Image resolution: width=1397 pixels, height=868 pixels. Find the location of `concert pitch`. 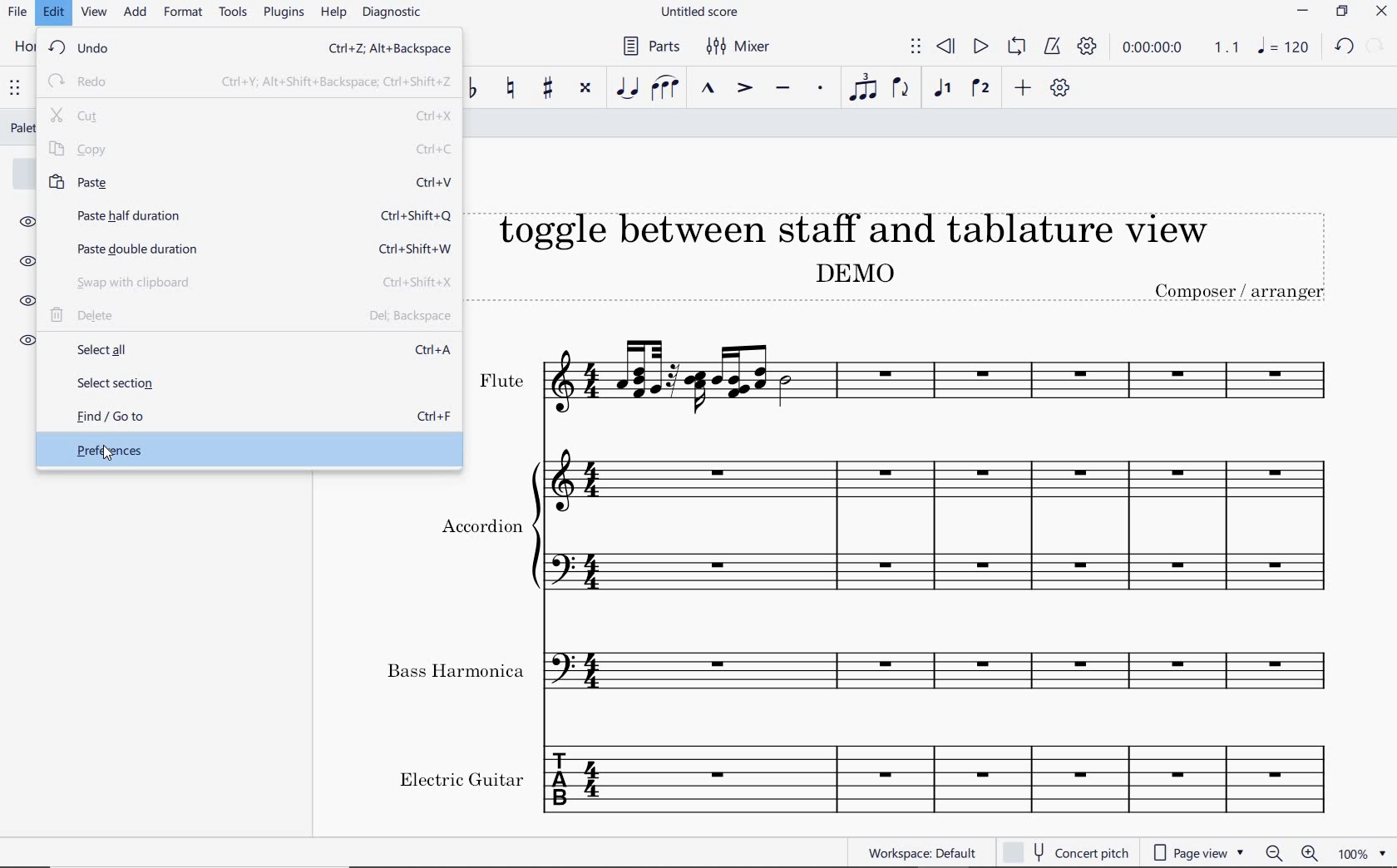

concert pitch is located at coordinates (1066, 852).